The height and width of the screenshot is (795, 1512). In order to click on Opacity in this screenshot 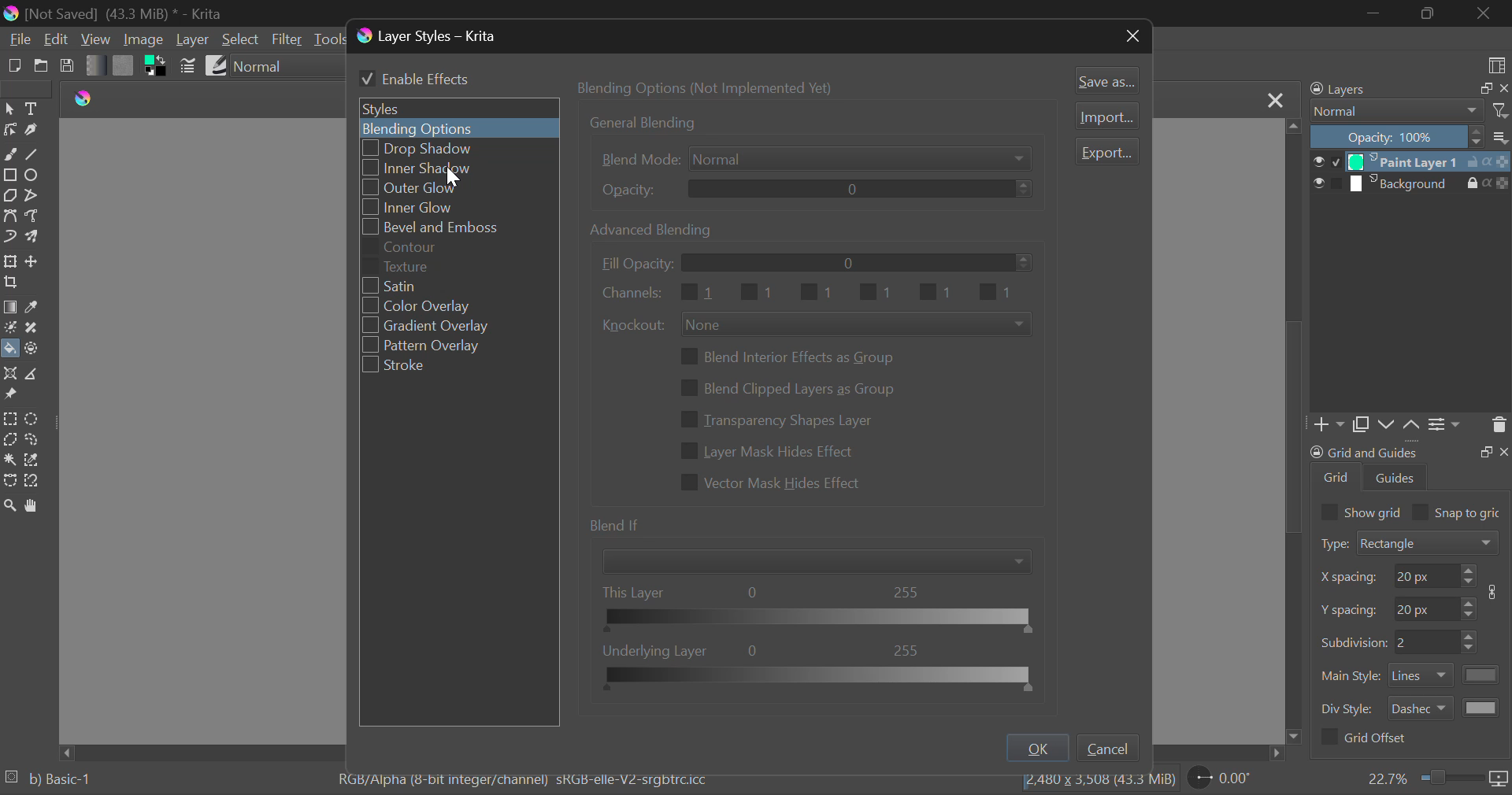, I will do `click(1411, 138)`.